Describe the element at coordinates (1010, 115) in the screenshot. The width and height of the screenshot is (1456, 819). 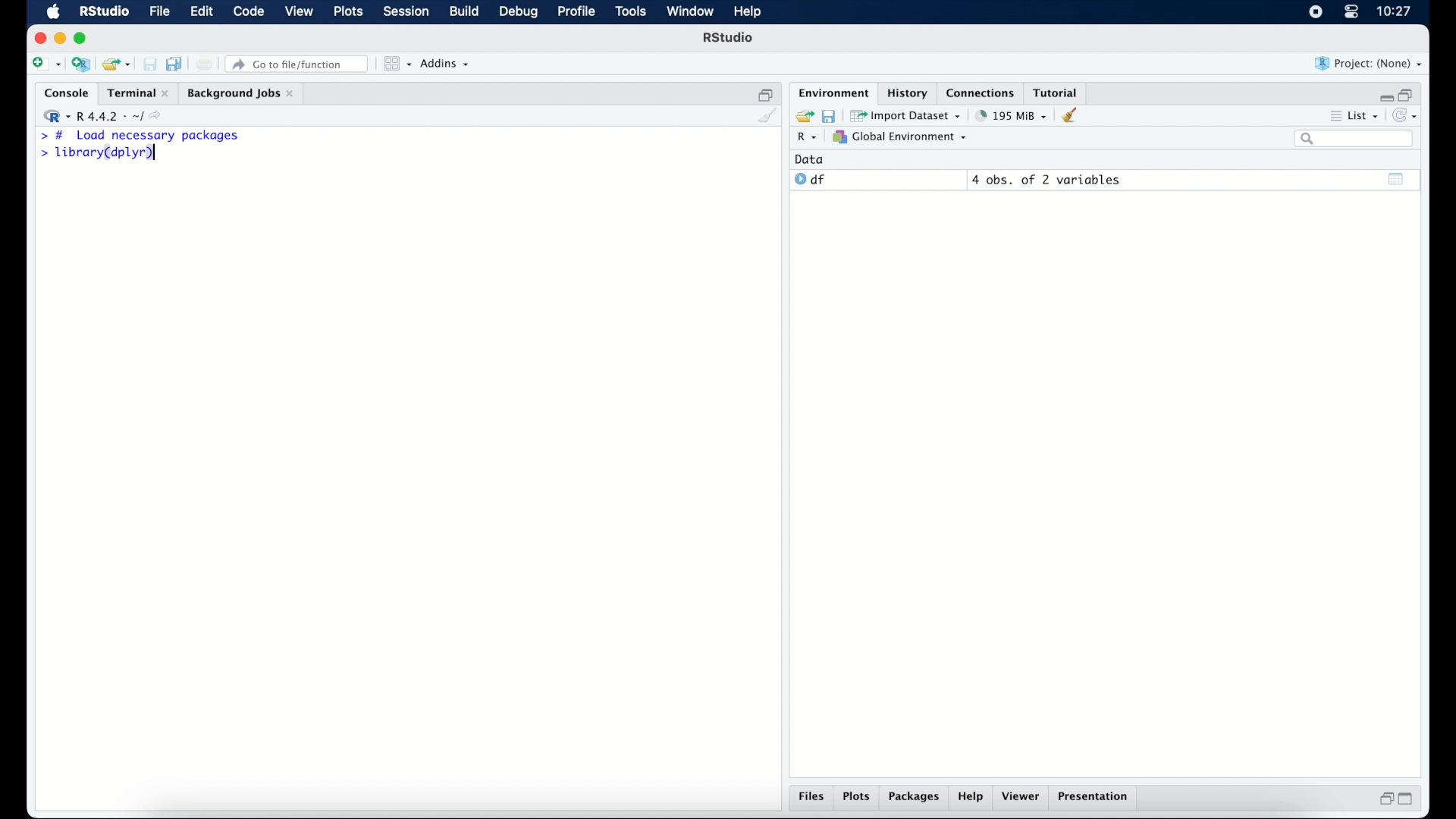
I see `195 MB` at that location.